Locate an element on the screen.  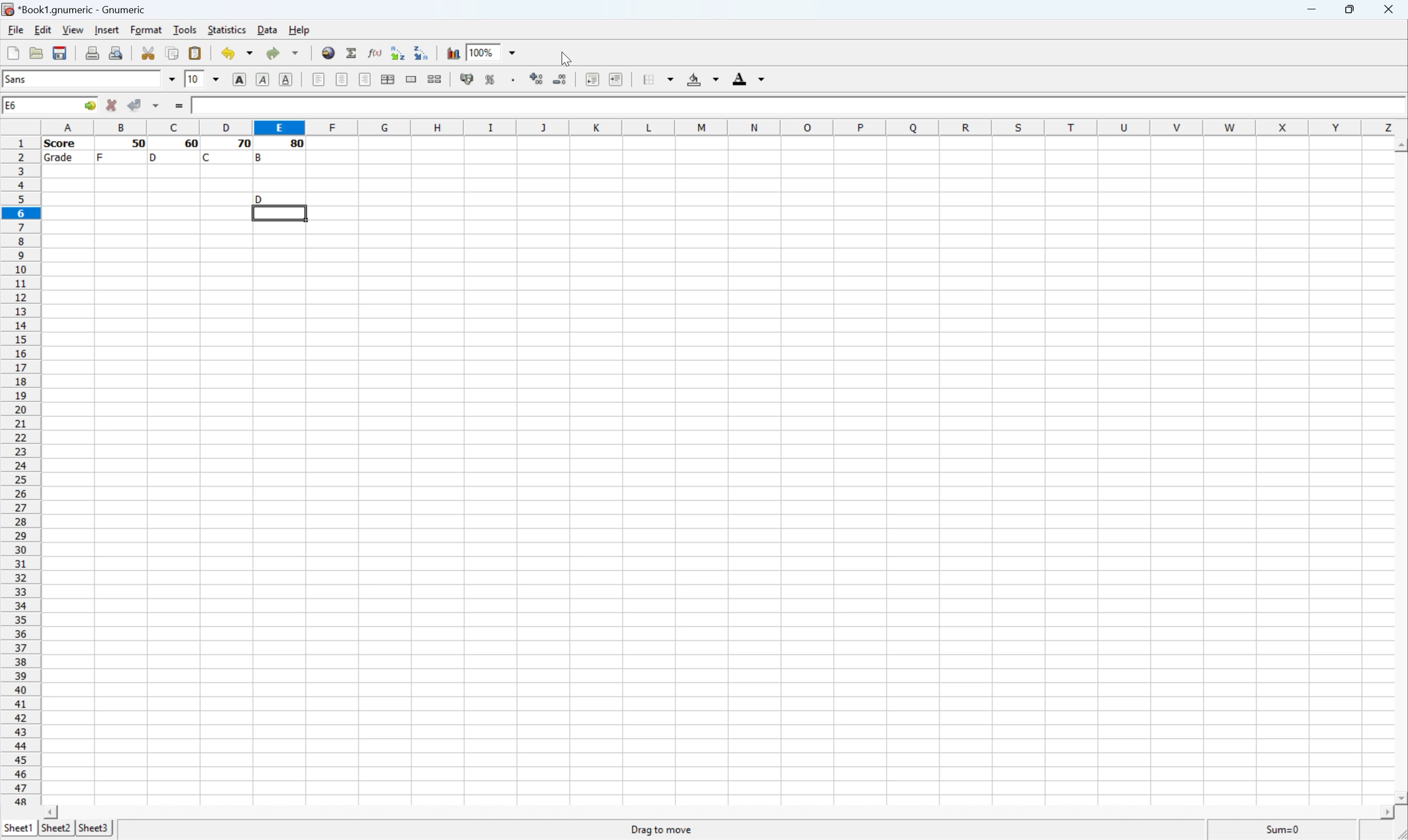
Align Left is located at coordinates (236, 80).